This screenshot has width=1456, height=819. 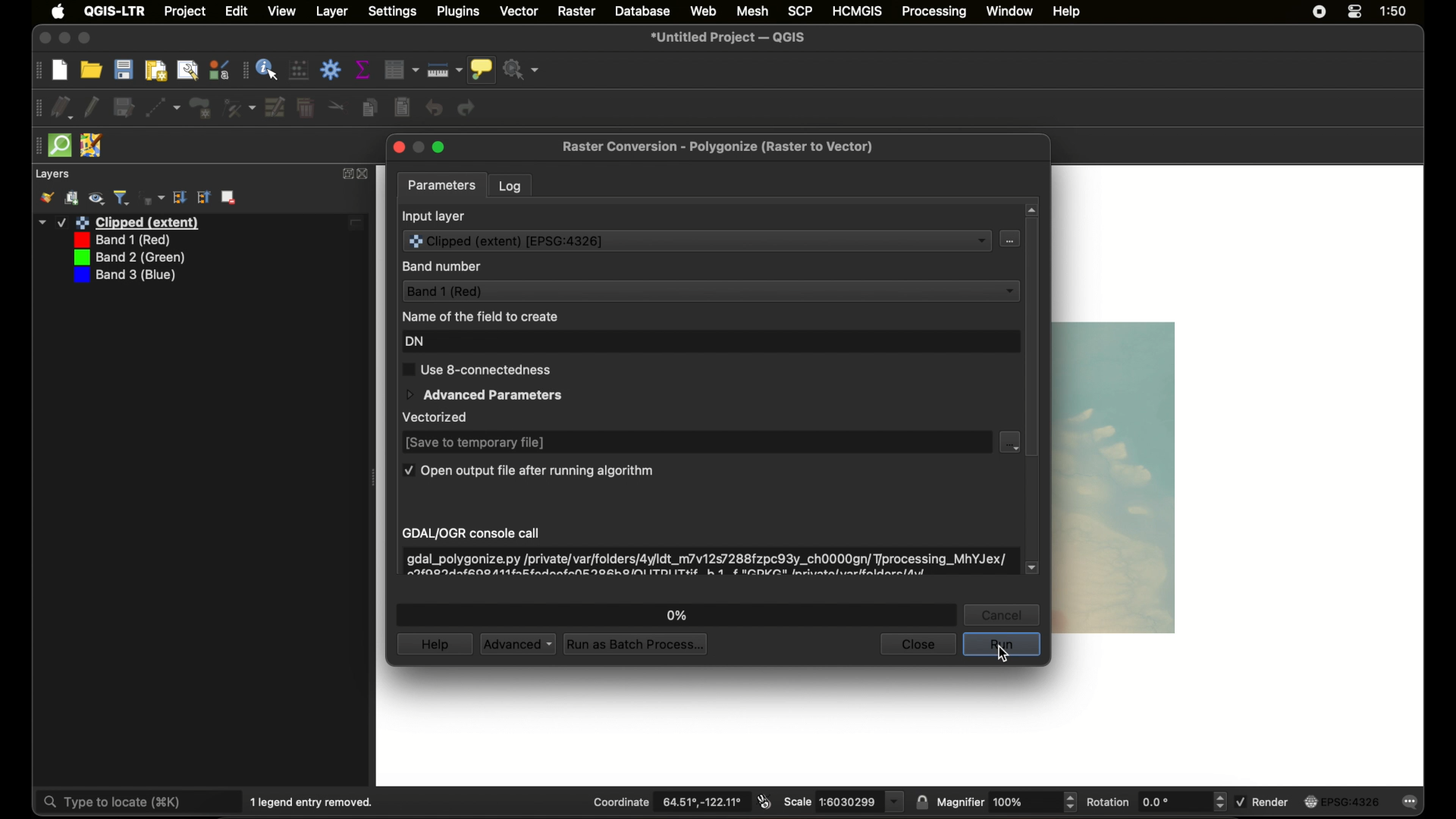 I want to click on band 3, so click(x=124, y=276).